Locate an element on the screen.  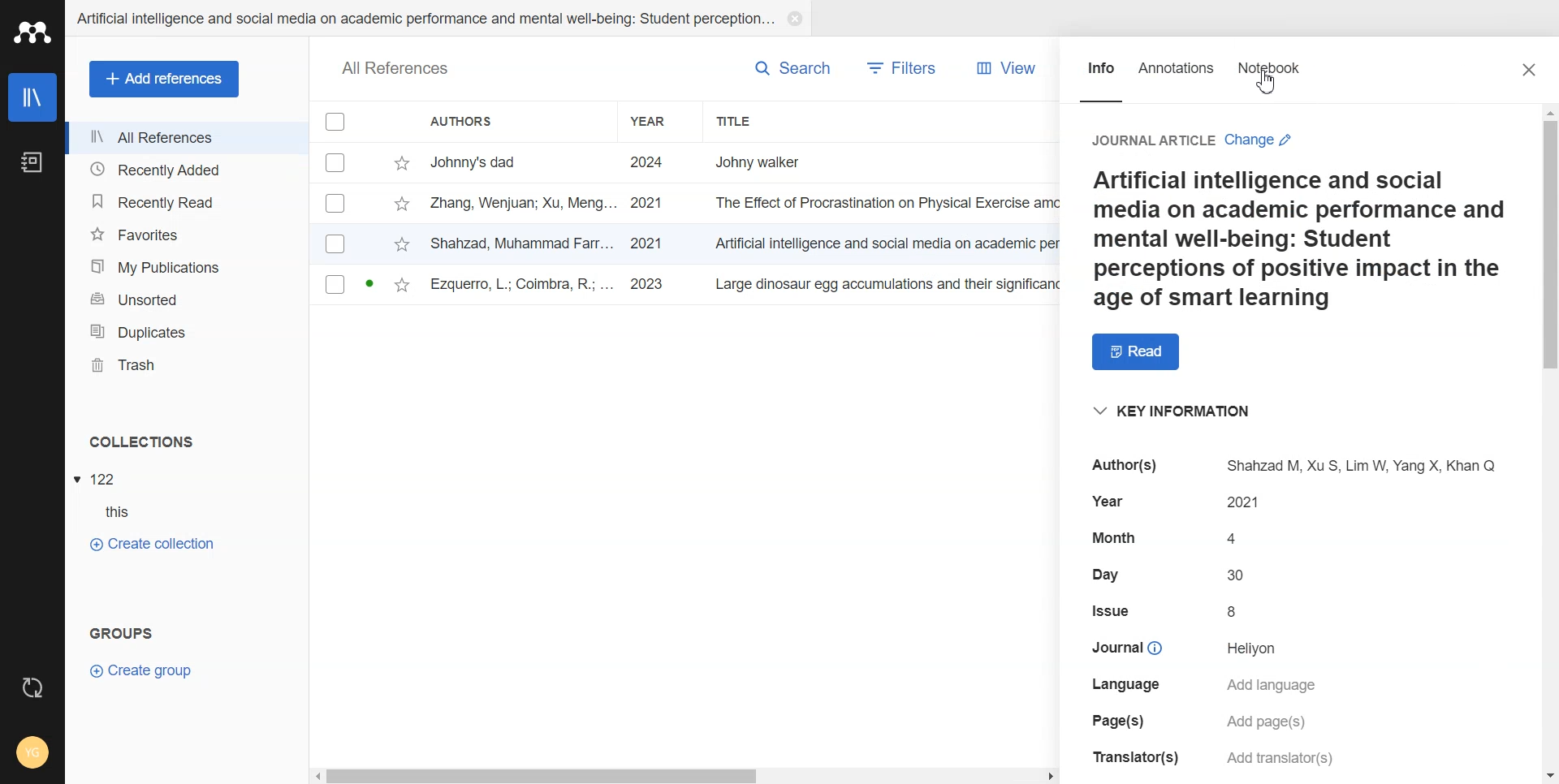
Recently Added is located at coordinates (186, 168).